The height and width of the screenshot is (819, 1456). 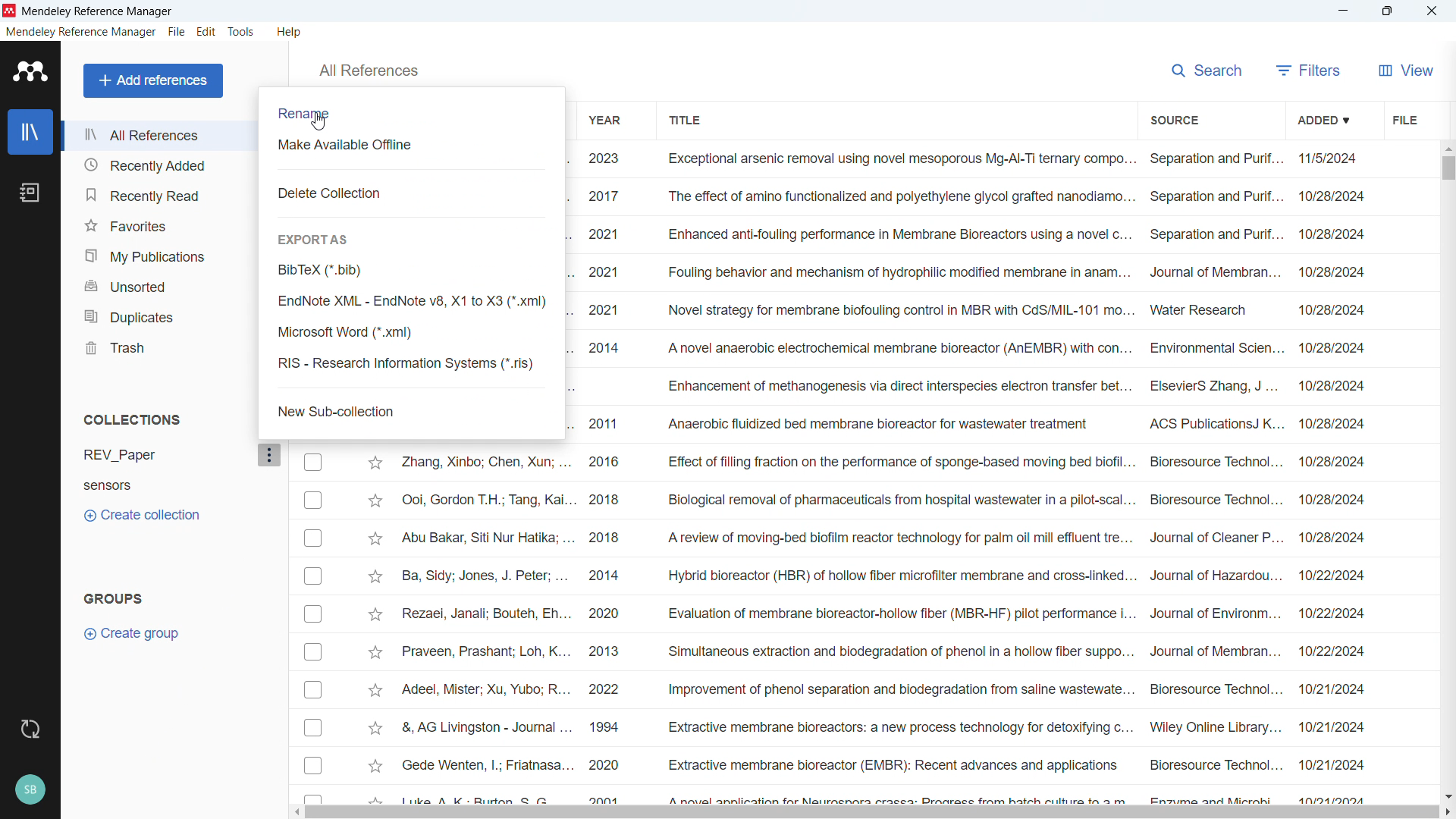 What do you see at coordinates (318, 121) in the screenshot?
I see `Cursor` at bounding box center [318, 121].